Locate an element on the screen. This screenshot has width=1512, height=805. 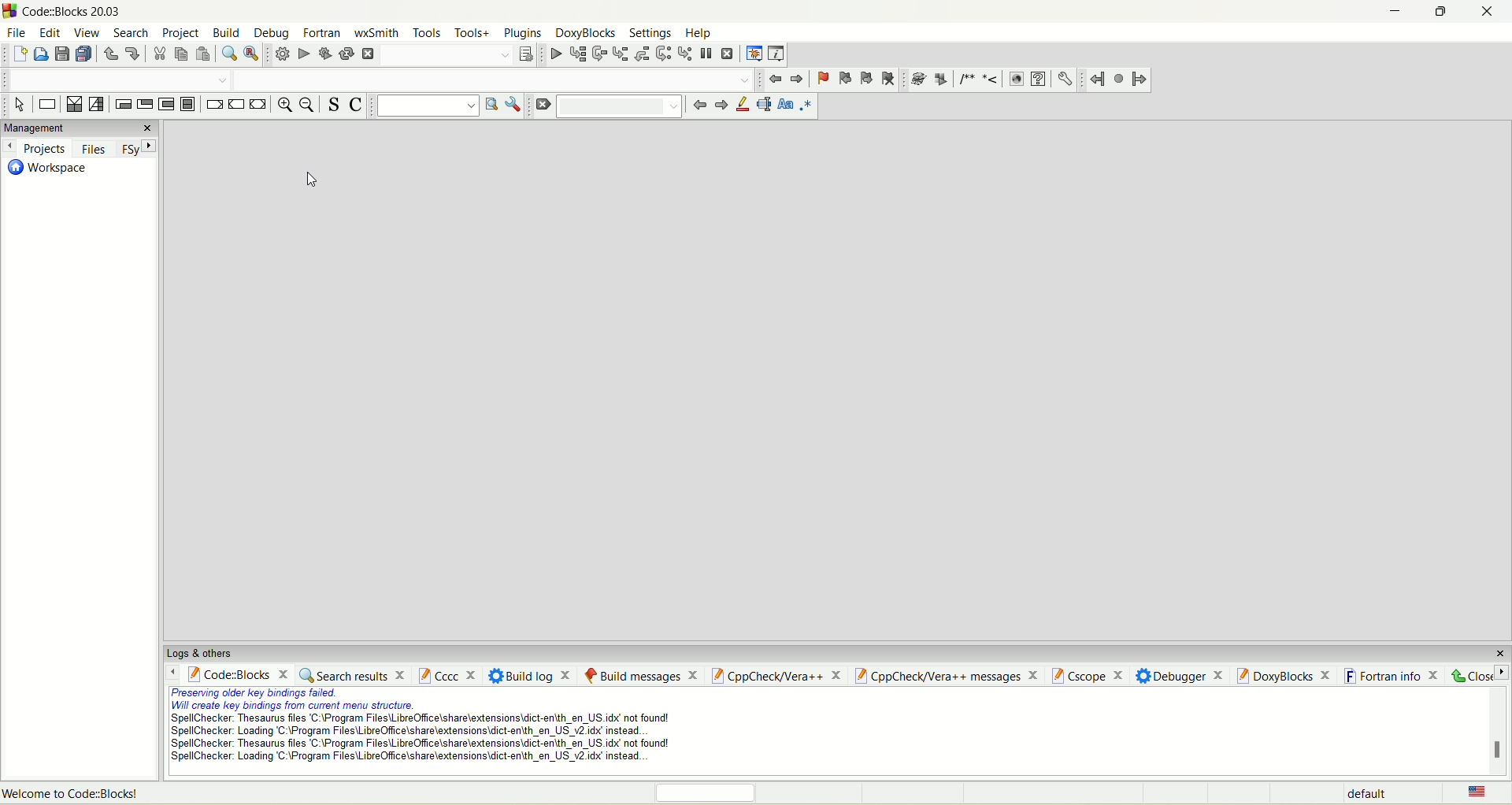
Run doxywizard is located at coordinates (916, 80).